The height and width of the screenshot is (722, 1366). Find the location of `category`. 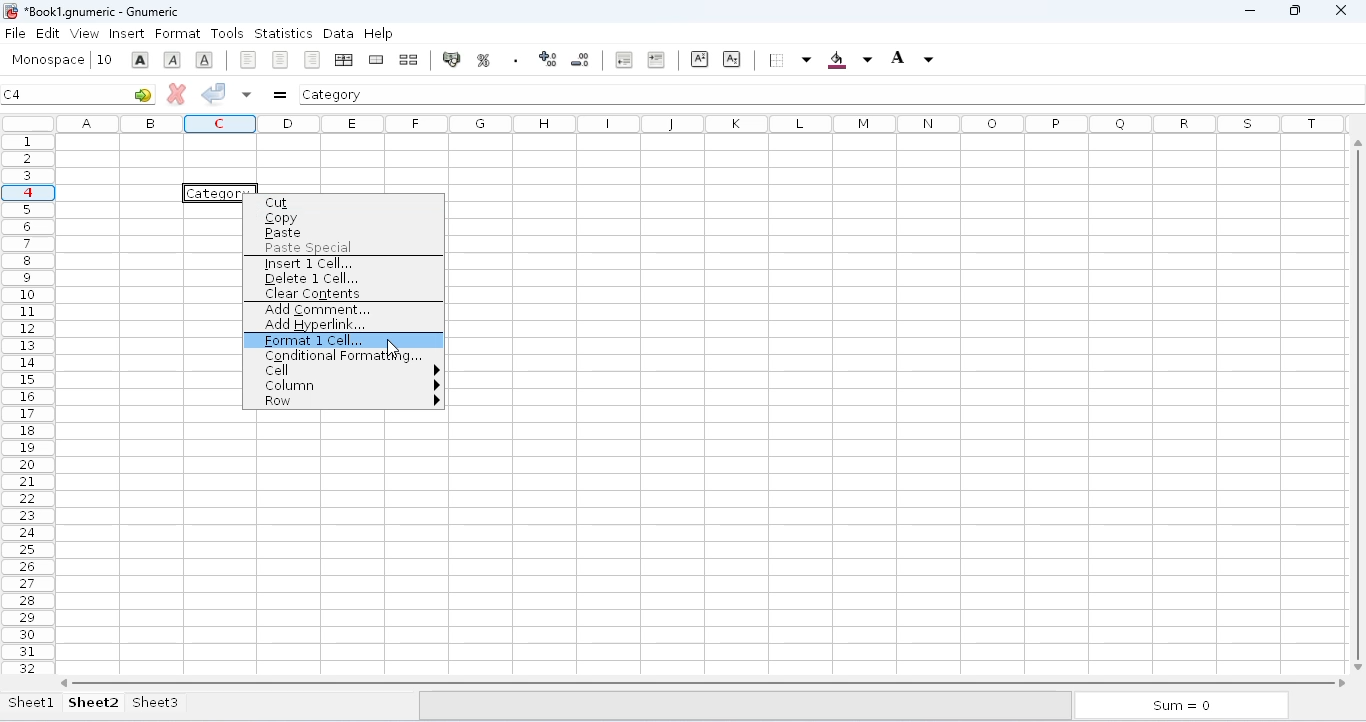

category is located at coordinates (333, 94).